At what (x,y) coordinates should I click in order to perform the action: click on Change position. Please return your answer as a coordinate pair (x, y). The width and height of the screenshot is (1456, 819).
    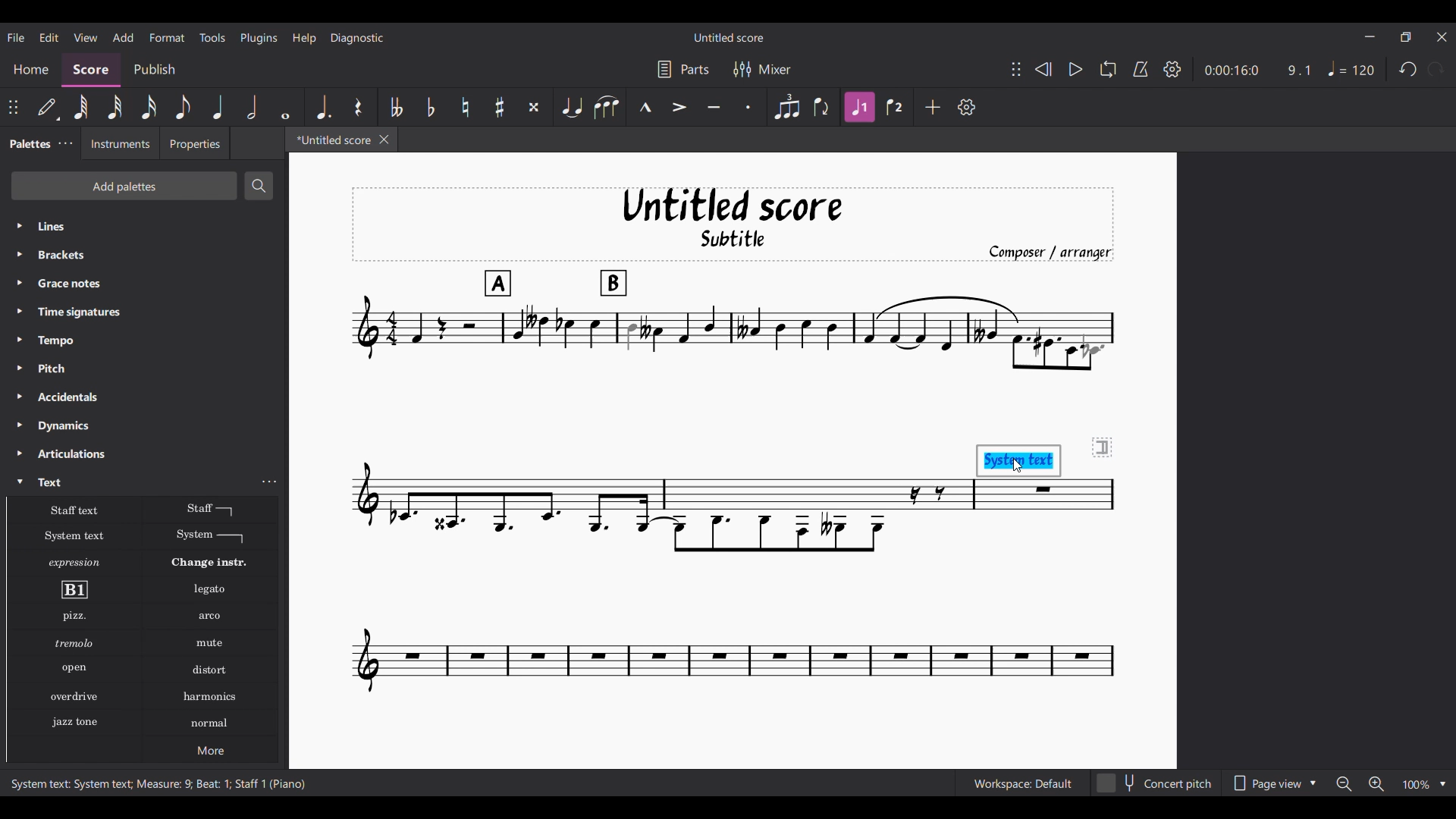
    Looking at the image, I should click on (13, 107).